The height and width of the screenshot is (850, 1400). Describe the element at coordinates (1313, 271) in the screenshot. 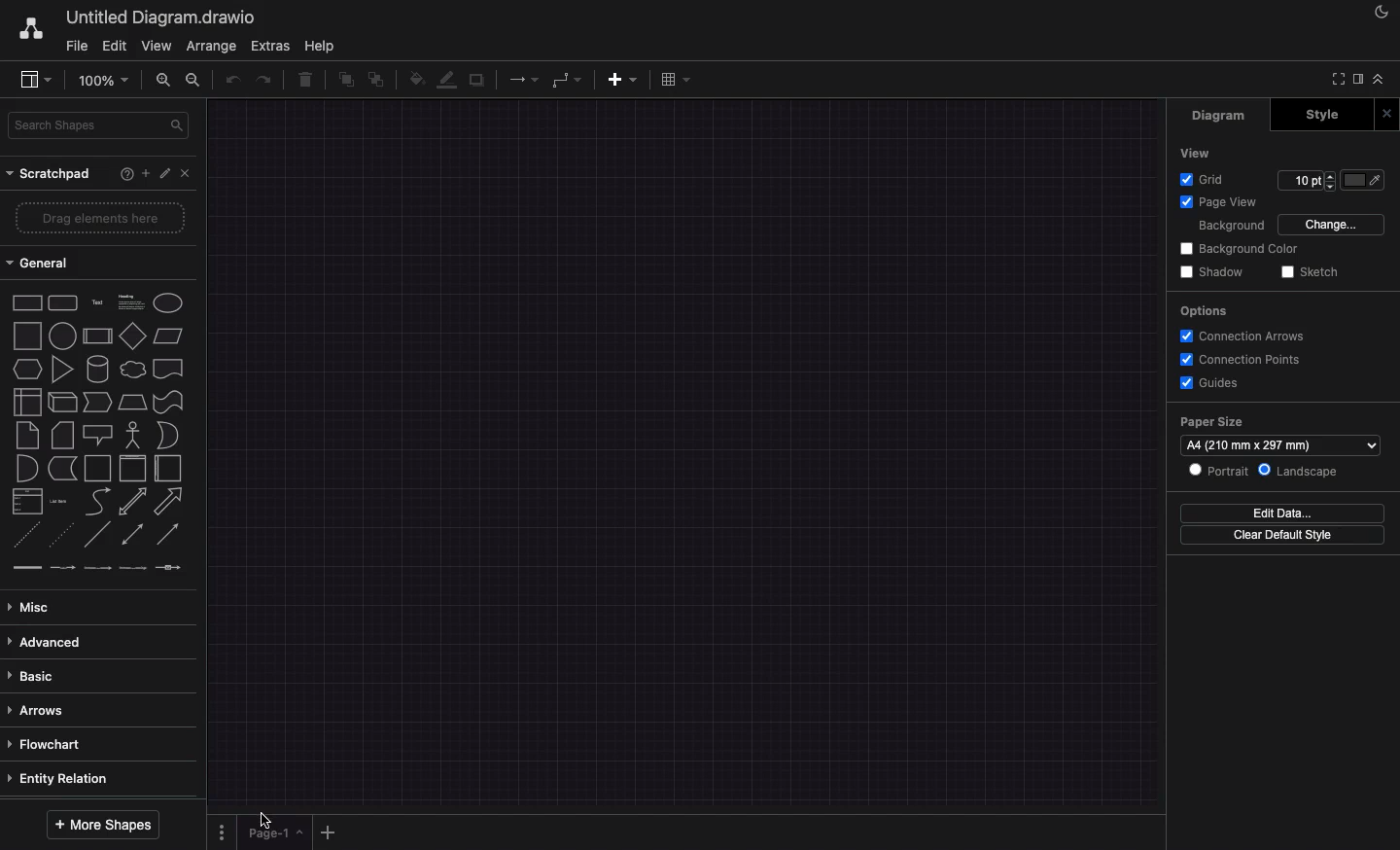

I see `sketch` at that location.